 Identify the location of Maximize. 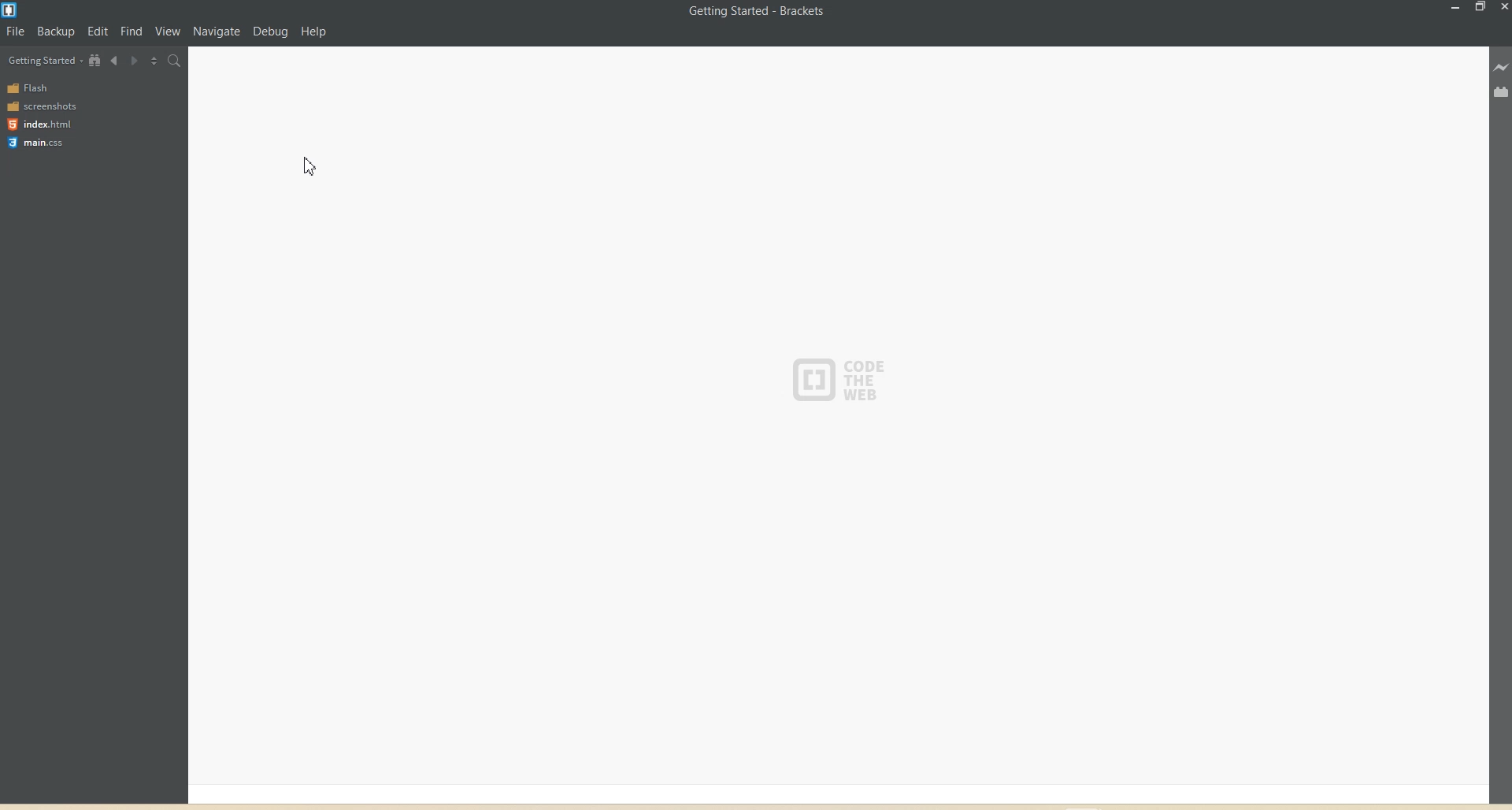
(1480, 8).